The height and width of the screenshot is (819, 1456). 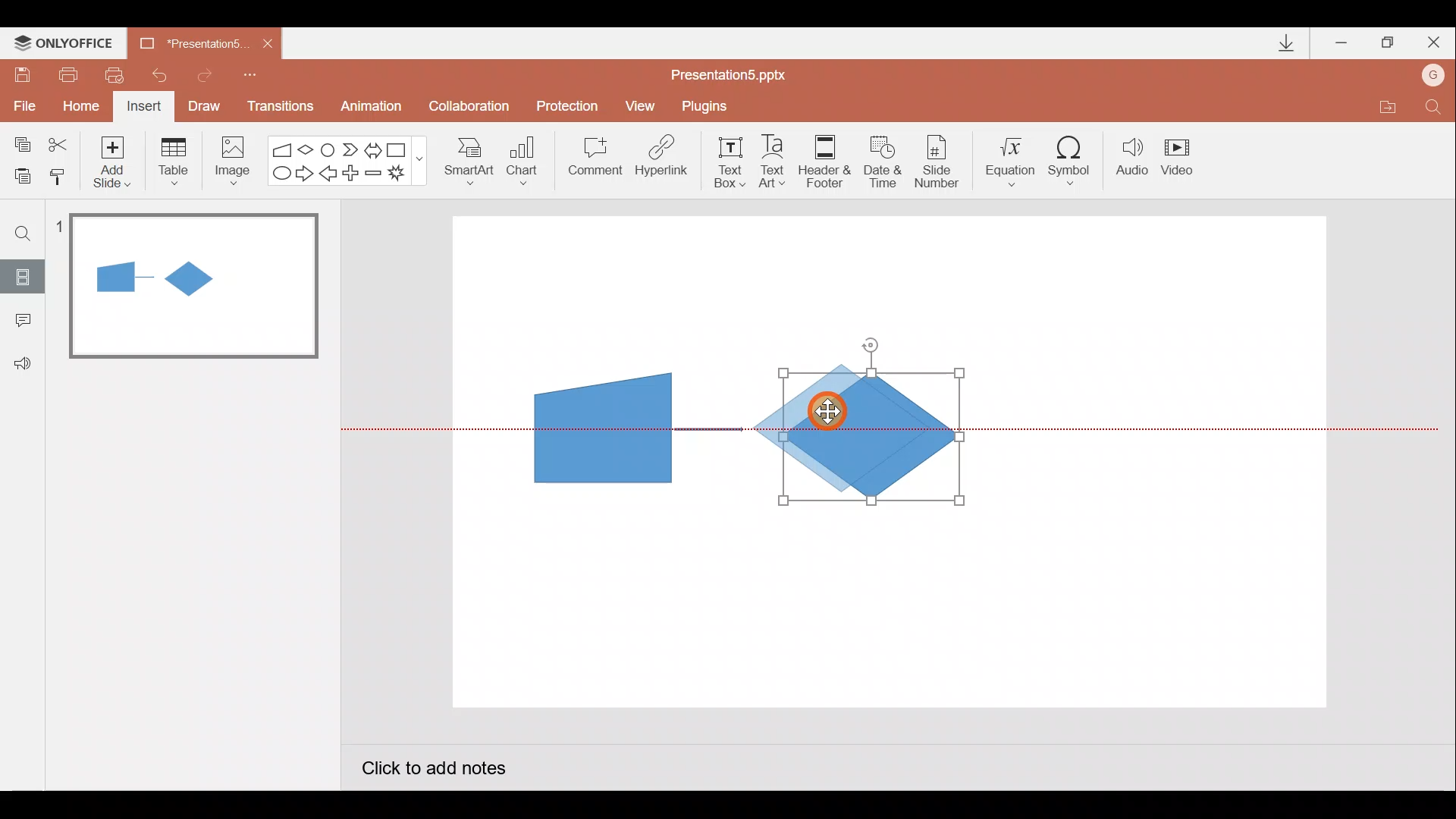 I want to click on Chevron, so click(x=352, y=150).